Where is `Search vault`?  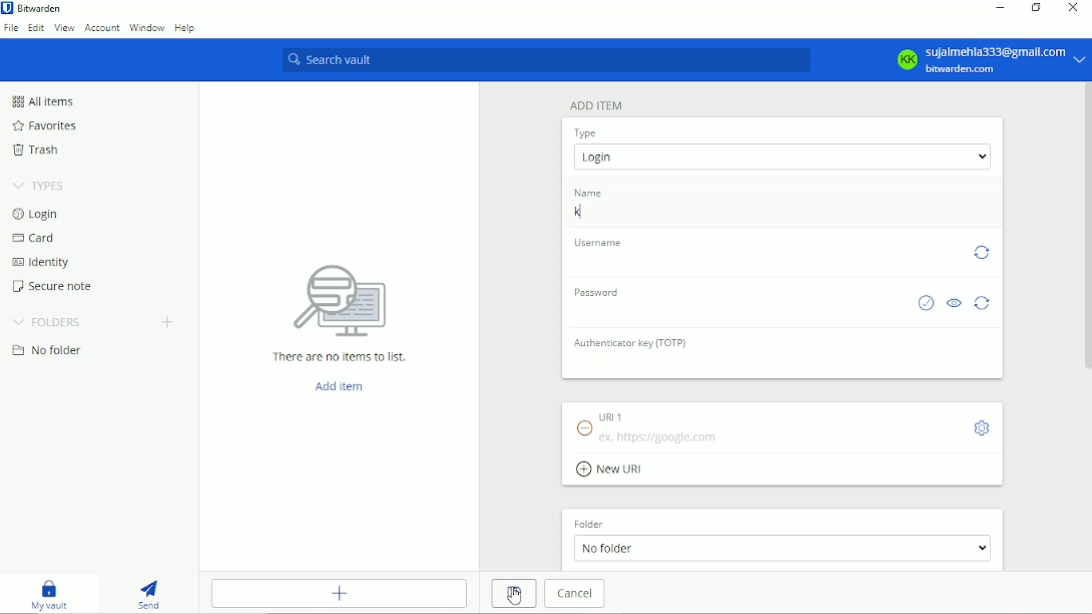
Search vault is located at coordinates (544, 61).